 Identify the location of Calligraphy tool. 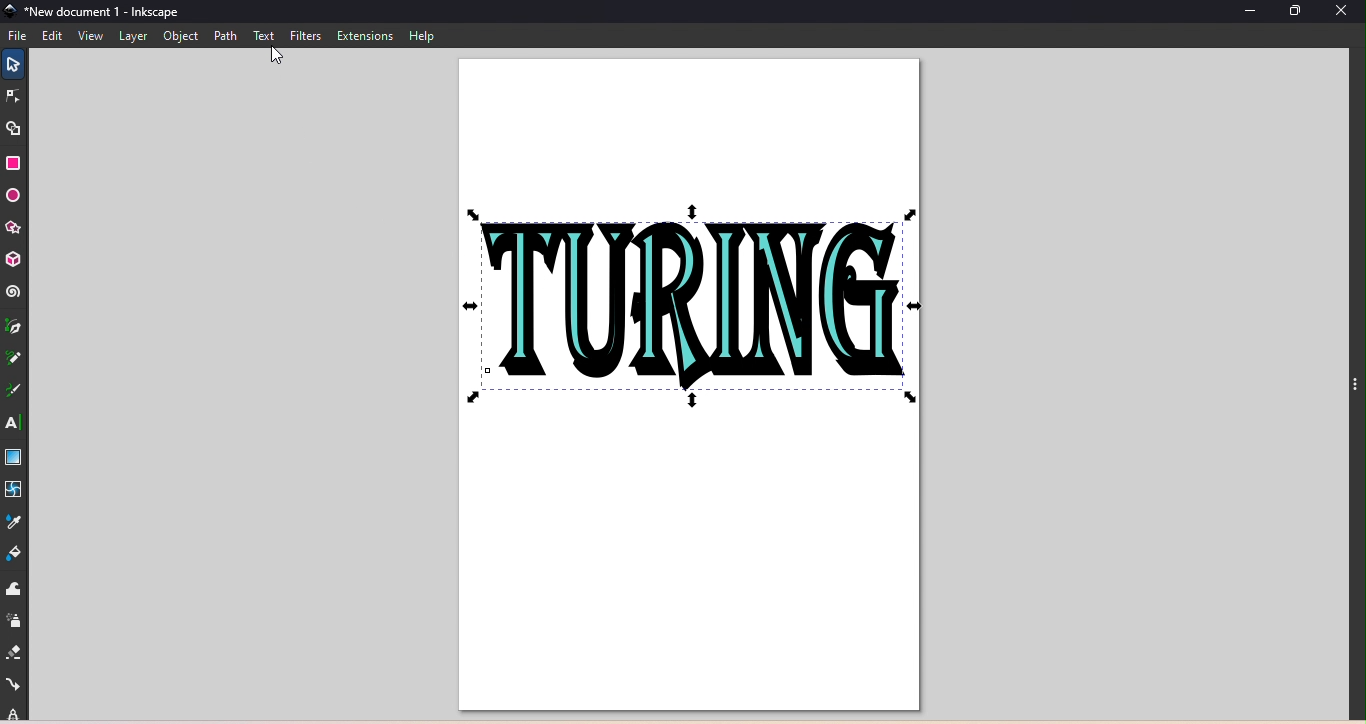
(17, 392).